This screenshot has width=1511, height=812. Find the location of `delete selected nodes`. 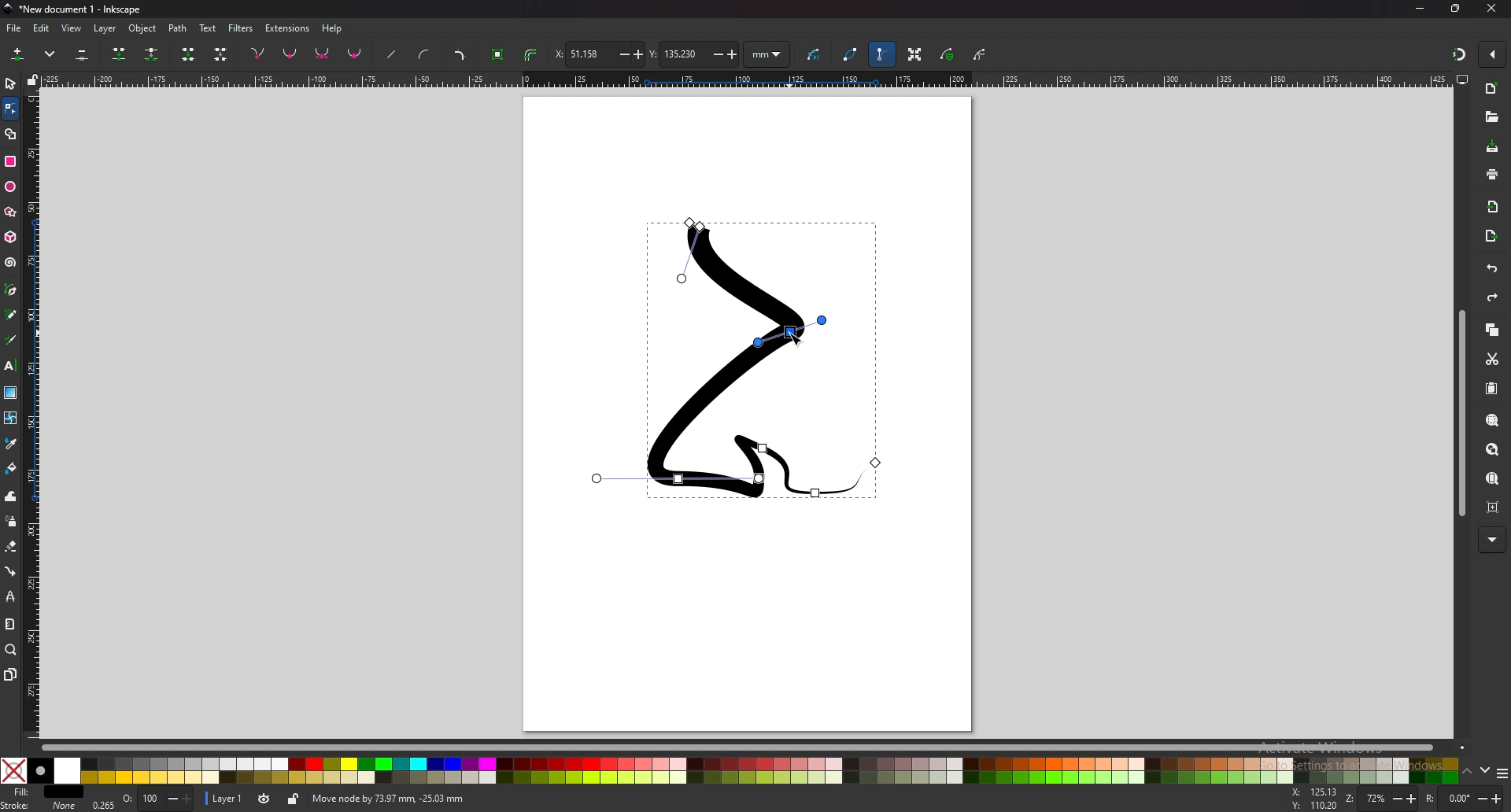

delete selected nodes is located at coordinates (81, 55).